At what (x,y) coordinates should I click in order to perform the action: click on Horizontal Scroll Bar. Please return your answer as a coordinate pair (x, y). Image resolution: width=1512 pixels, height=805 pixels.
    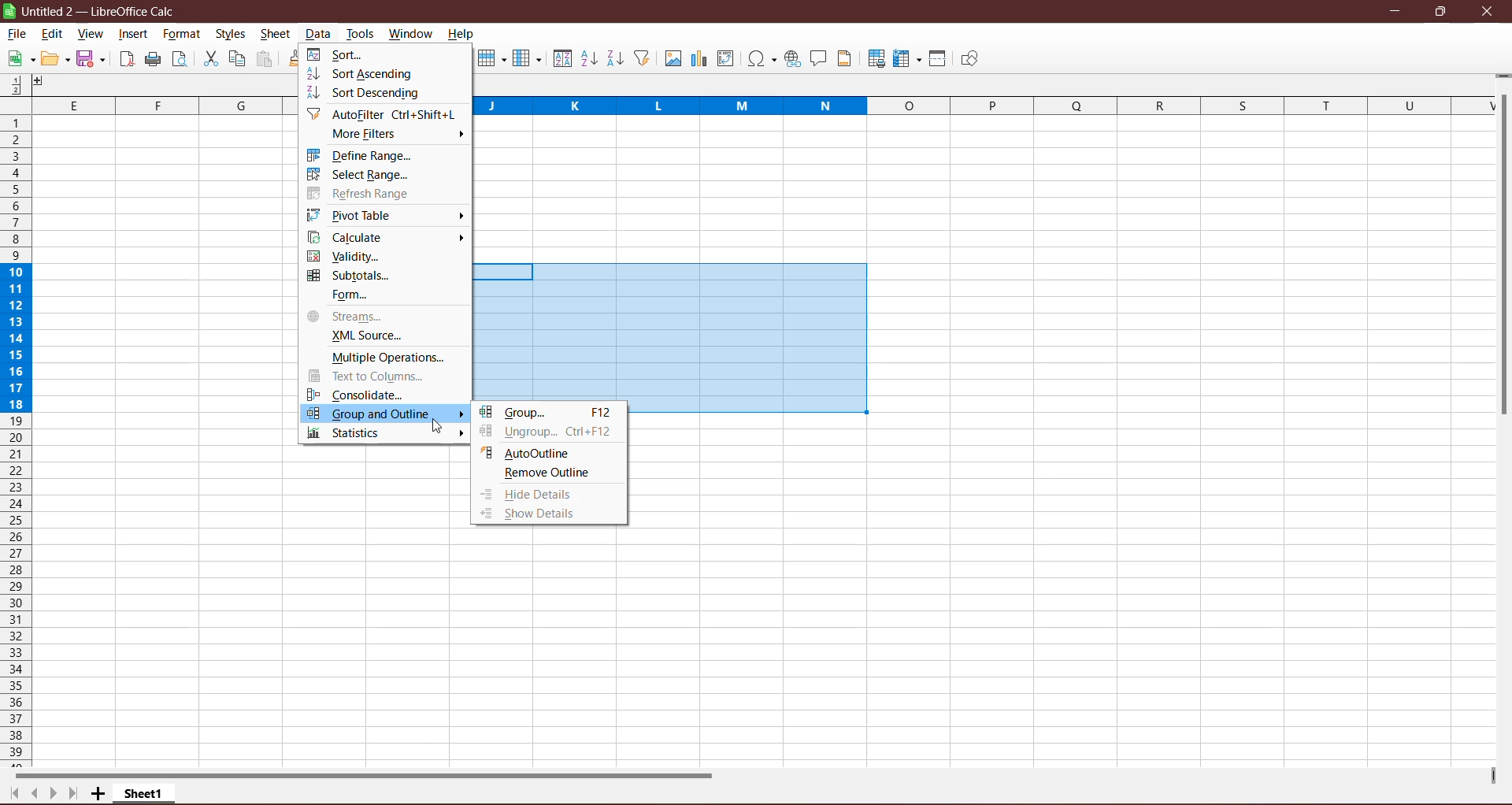
    Looking at the image, I should click on (374, 774).